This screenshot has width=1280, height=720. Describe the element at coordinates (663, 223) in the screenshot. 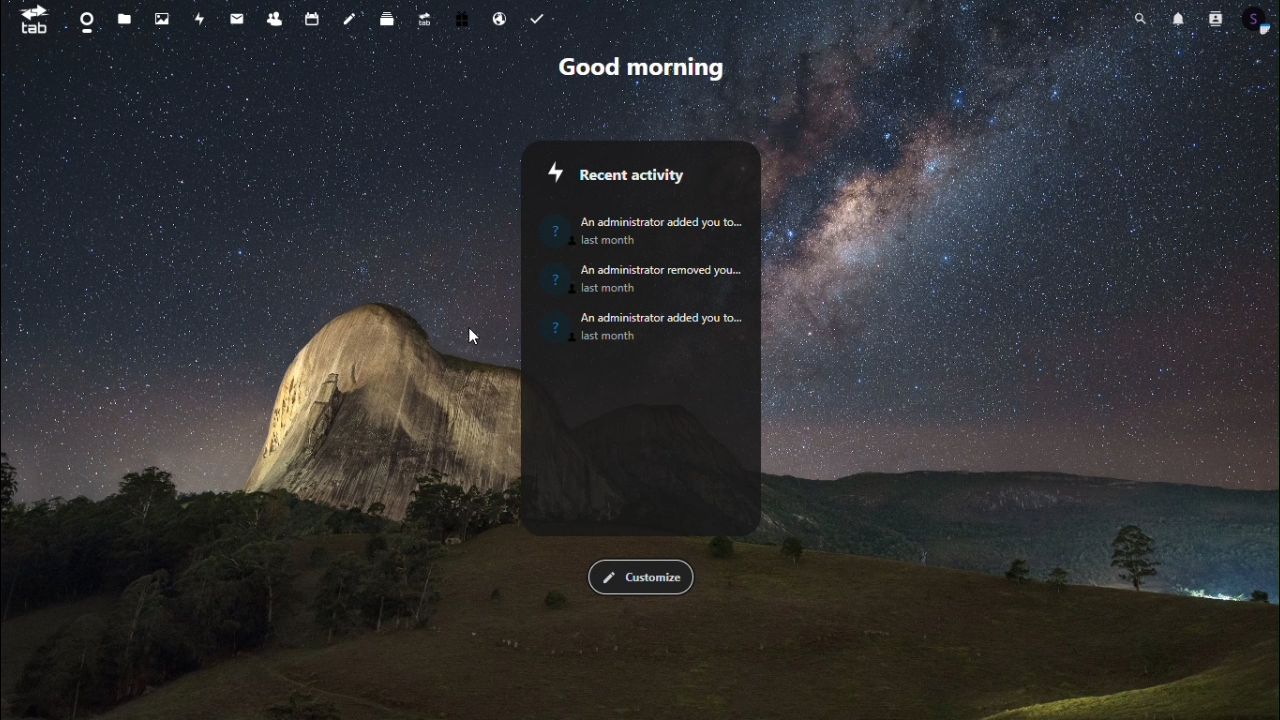

I see `An administrator added you to...` at that location.